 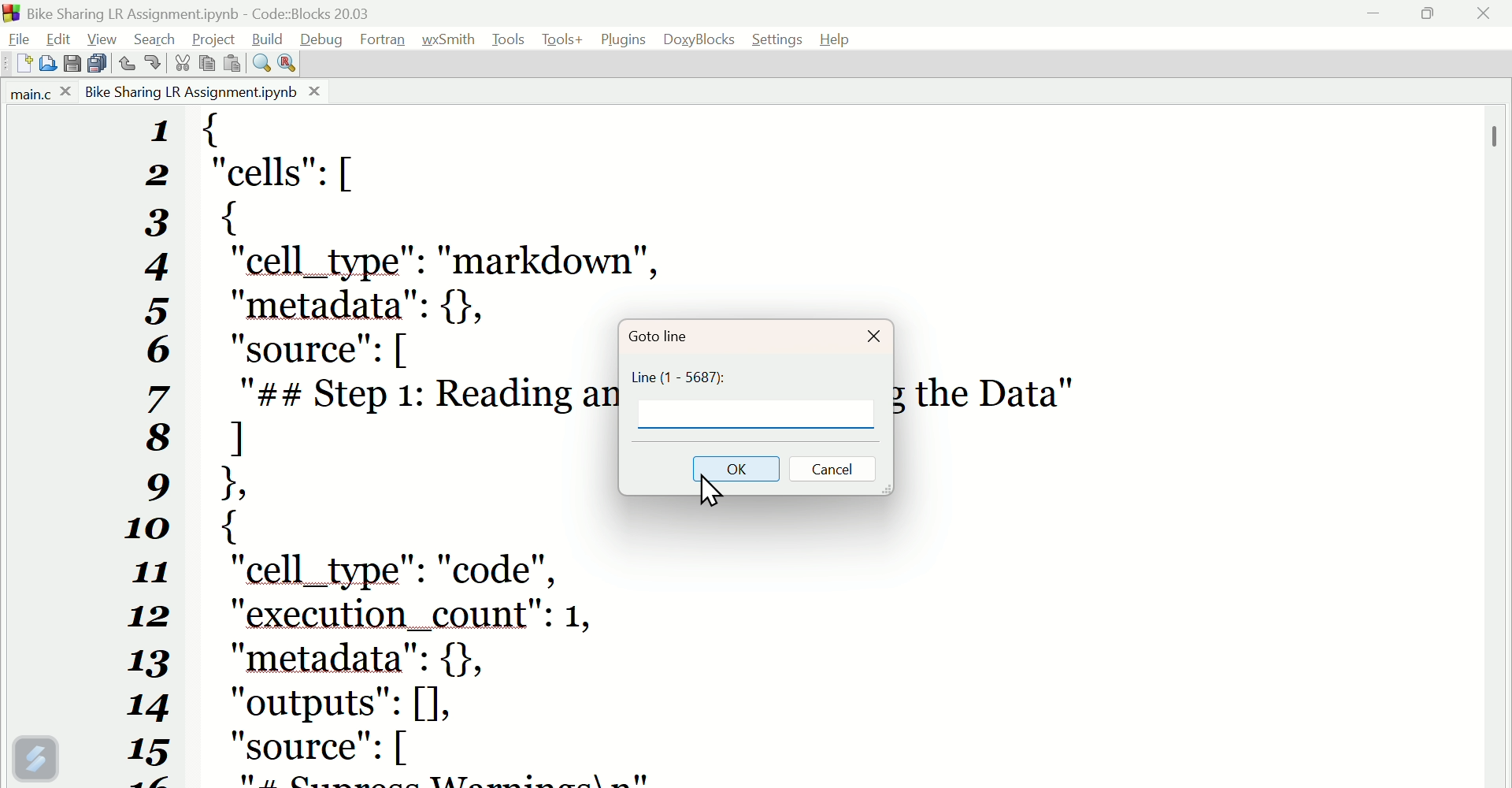 What do you see at coordinates (217, 38) in the screenshot?
I see `Project` at bounding box center [217, 38].